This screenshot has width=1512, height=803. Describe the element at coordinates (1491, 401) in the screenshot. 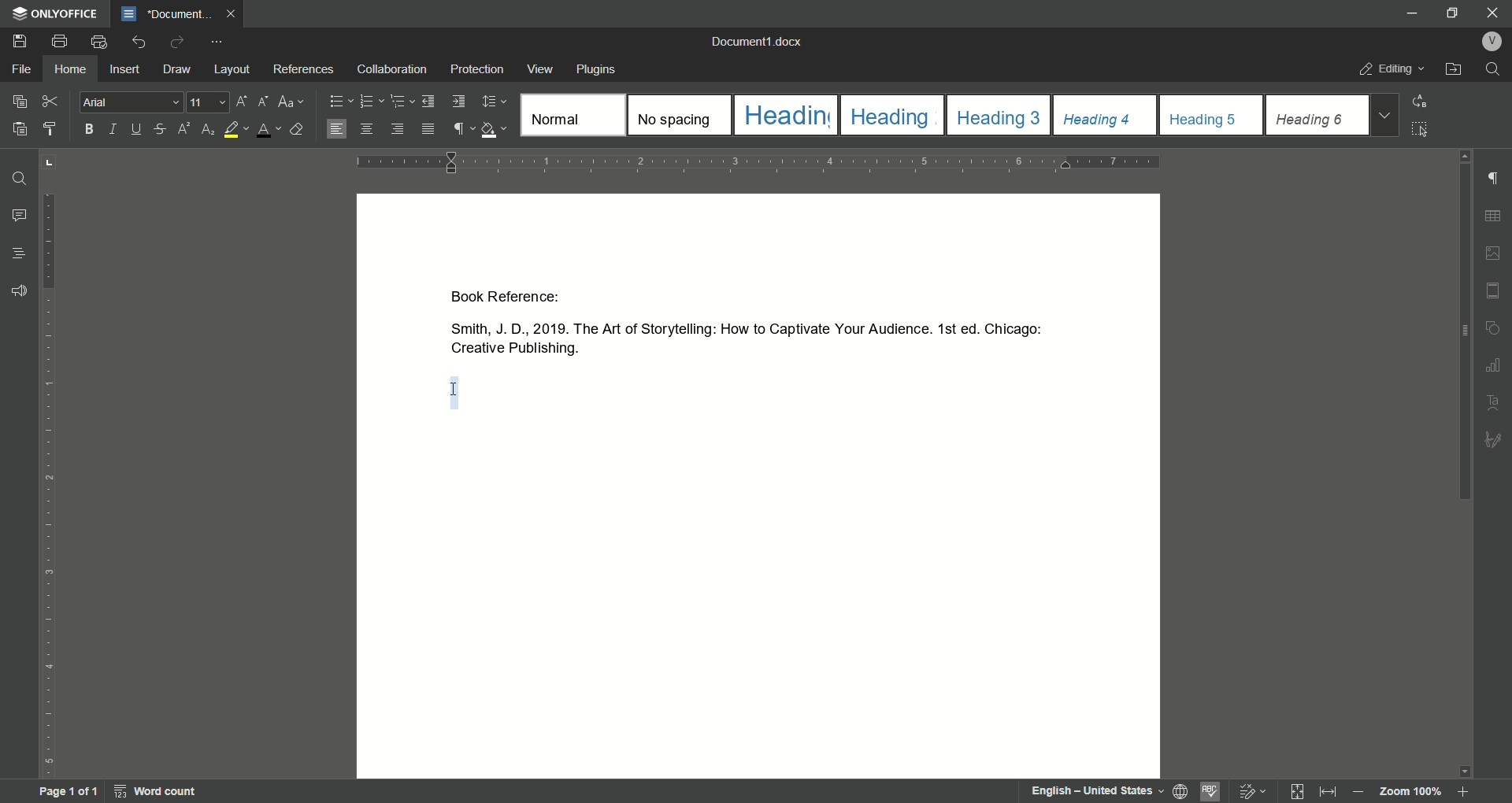

I see `text` at that location.